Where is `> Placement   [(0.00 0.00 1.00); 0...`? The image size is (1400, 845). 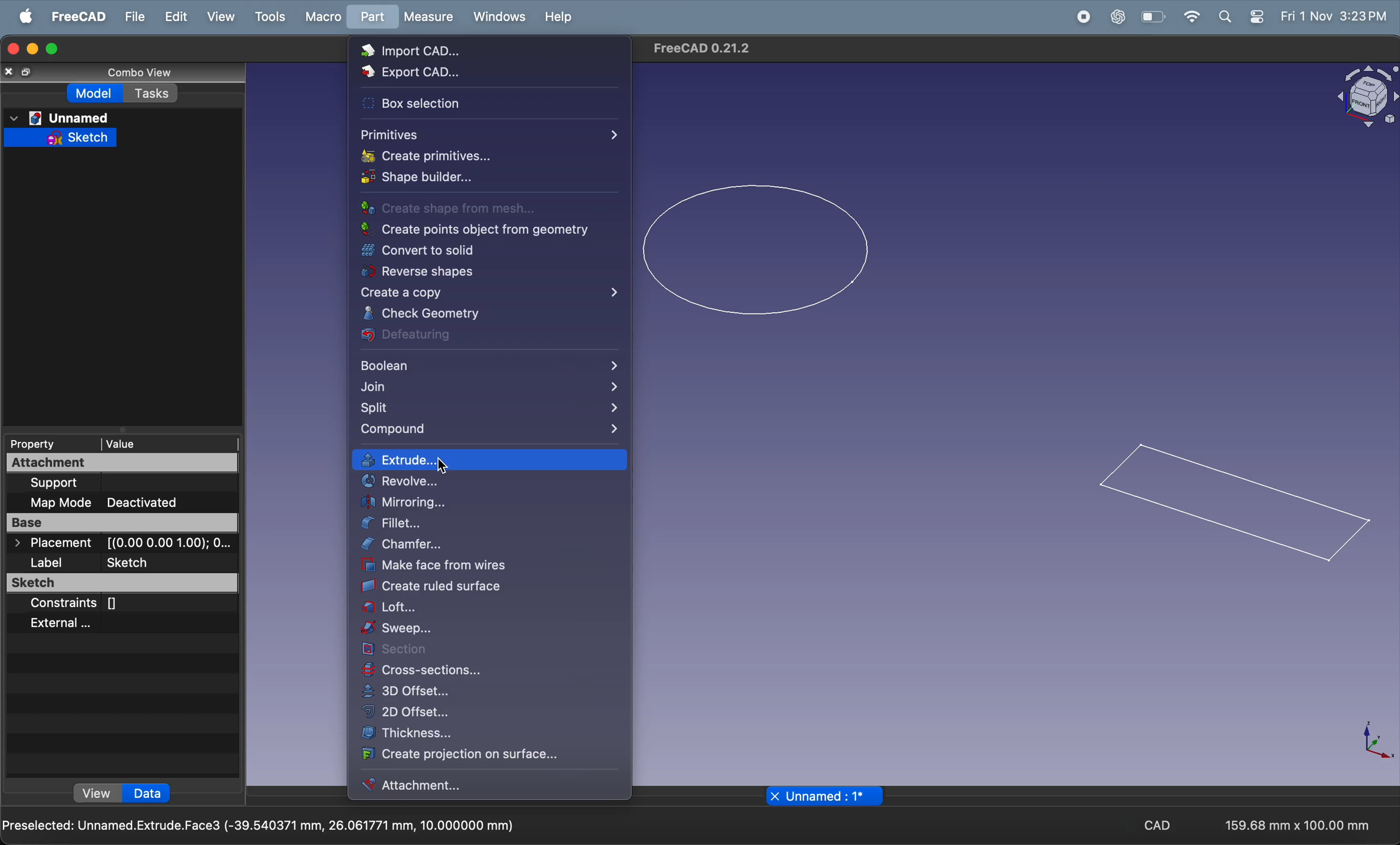 > Placement   [(0.00 0.00 1.00); 0... is located at coordinates (123, 543).